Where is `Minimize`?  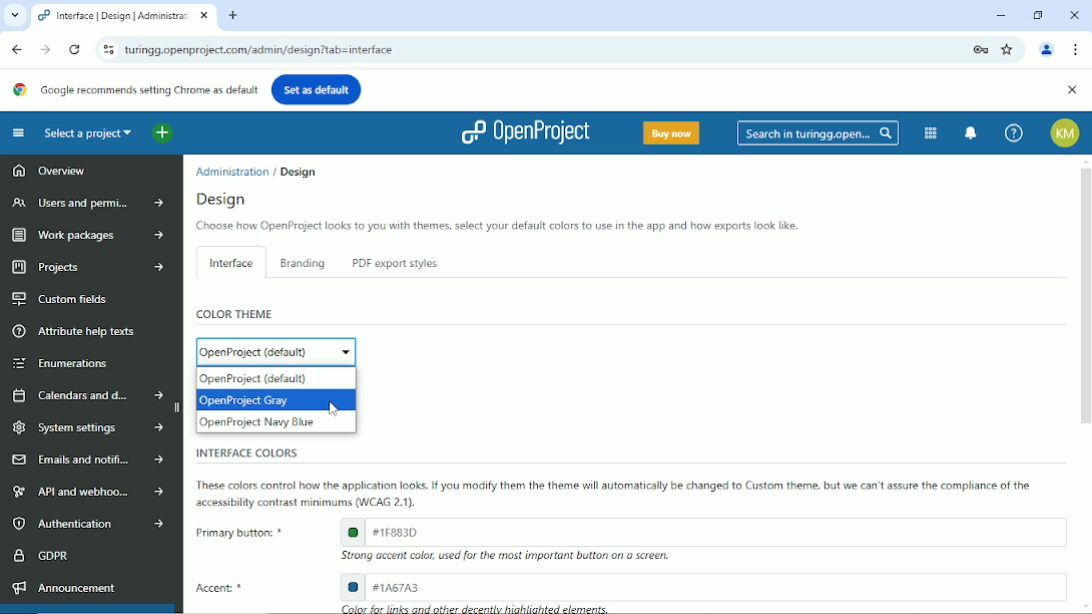
Minimize is located at coordinates (1001, 15).